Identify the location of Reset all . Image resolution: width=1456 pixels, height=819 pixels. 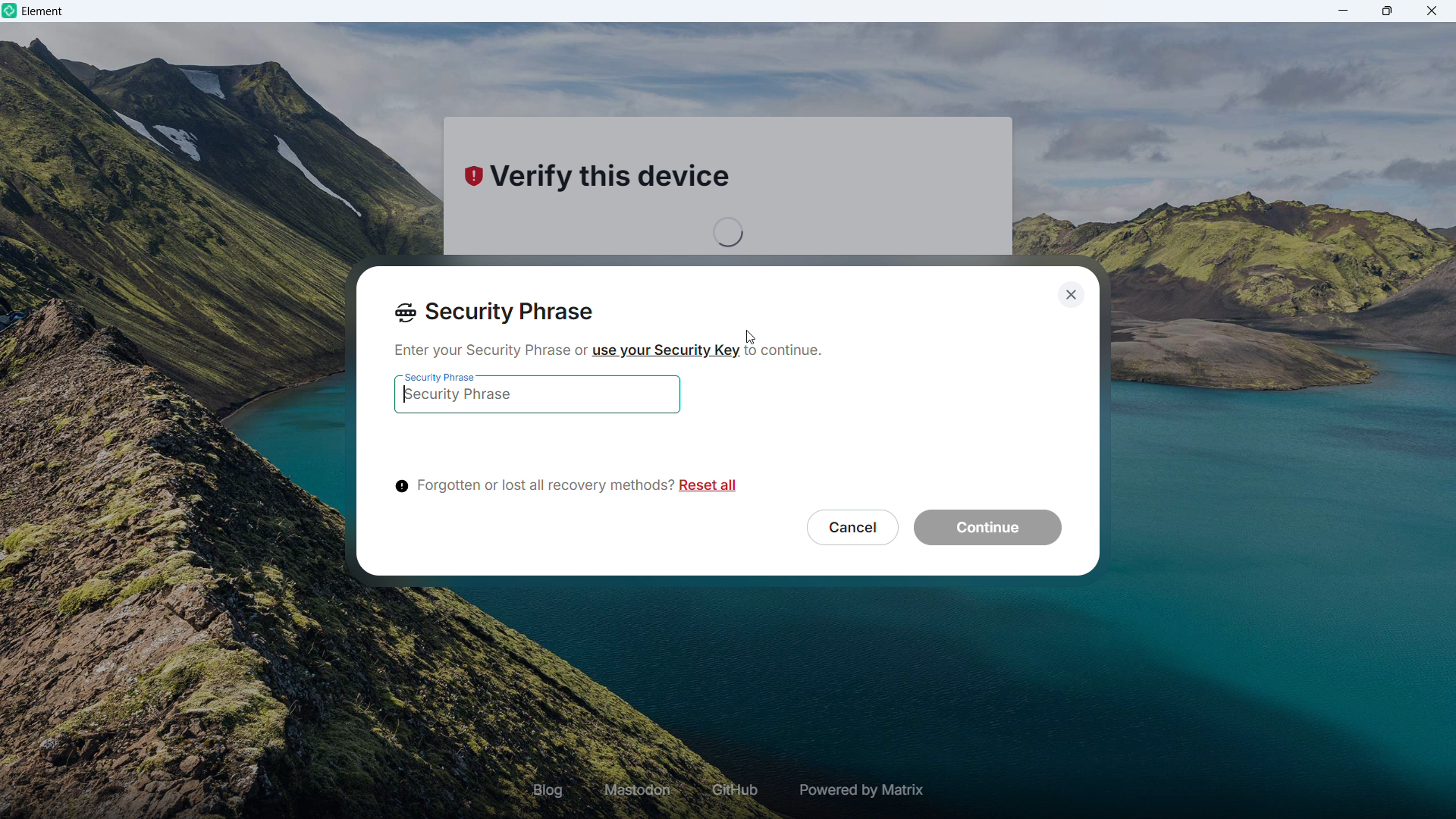
(711, 488).